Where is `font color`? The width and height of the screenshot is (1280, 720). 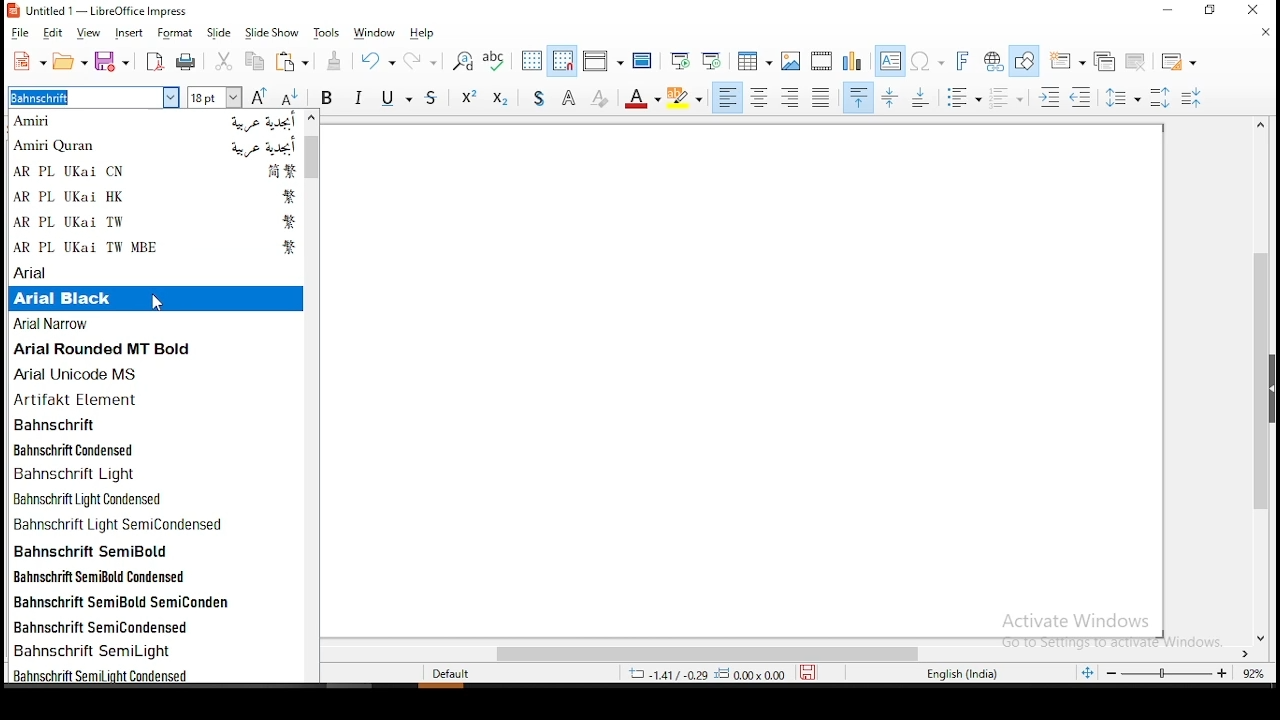 font color is located at coordinates (645, 99).